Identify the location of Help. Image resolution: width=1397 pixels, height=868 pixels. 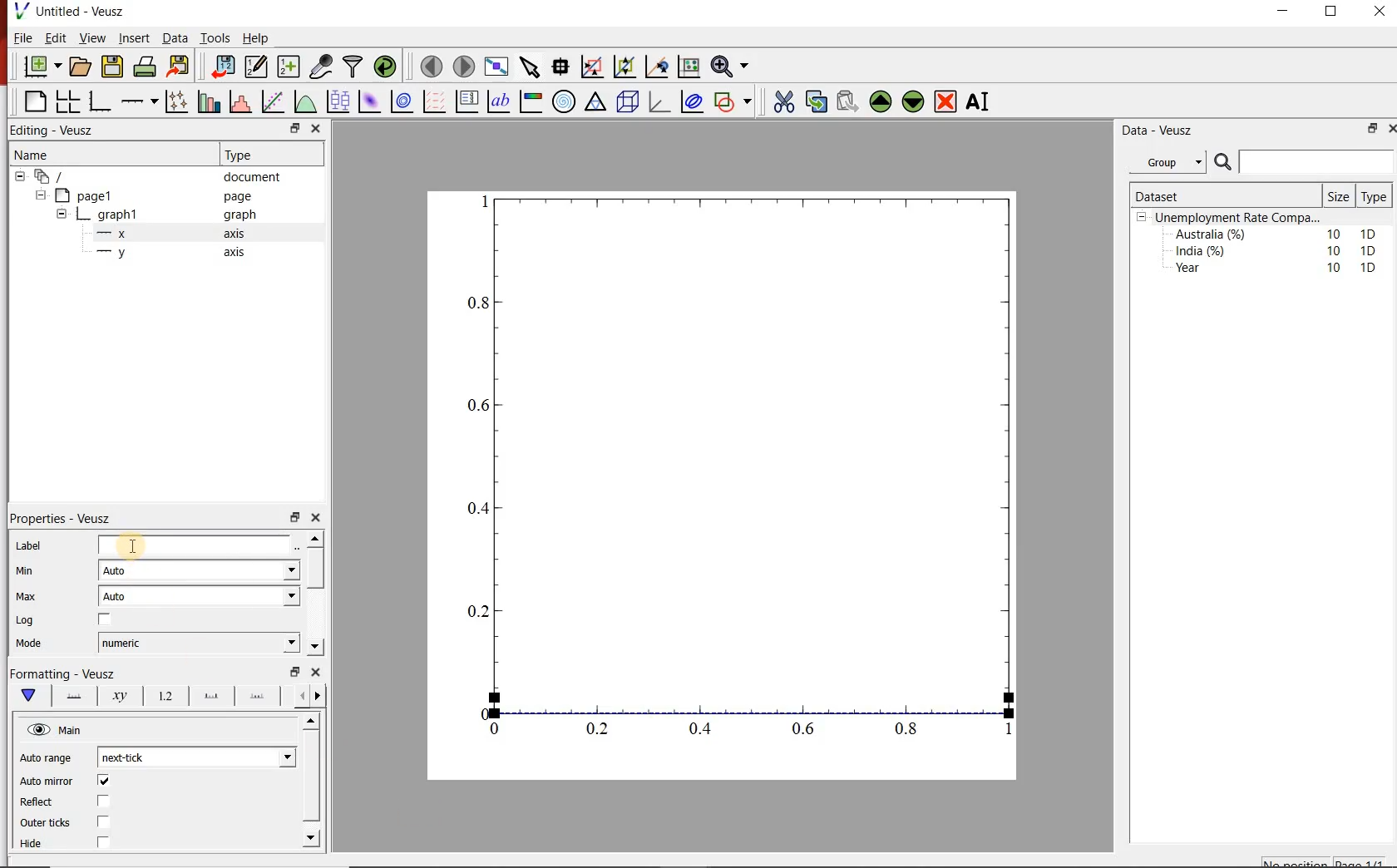
(256, 38).